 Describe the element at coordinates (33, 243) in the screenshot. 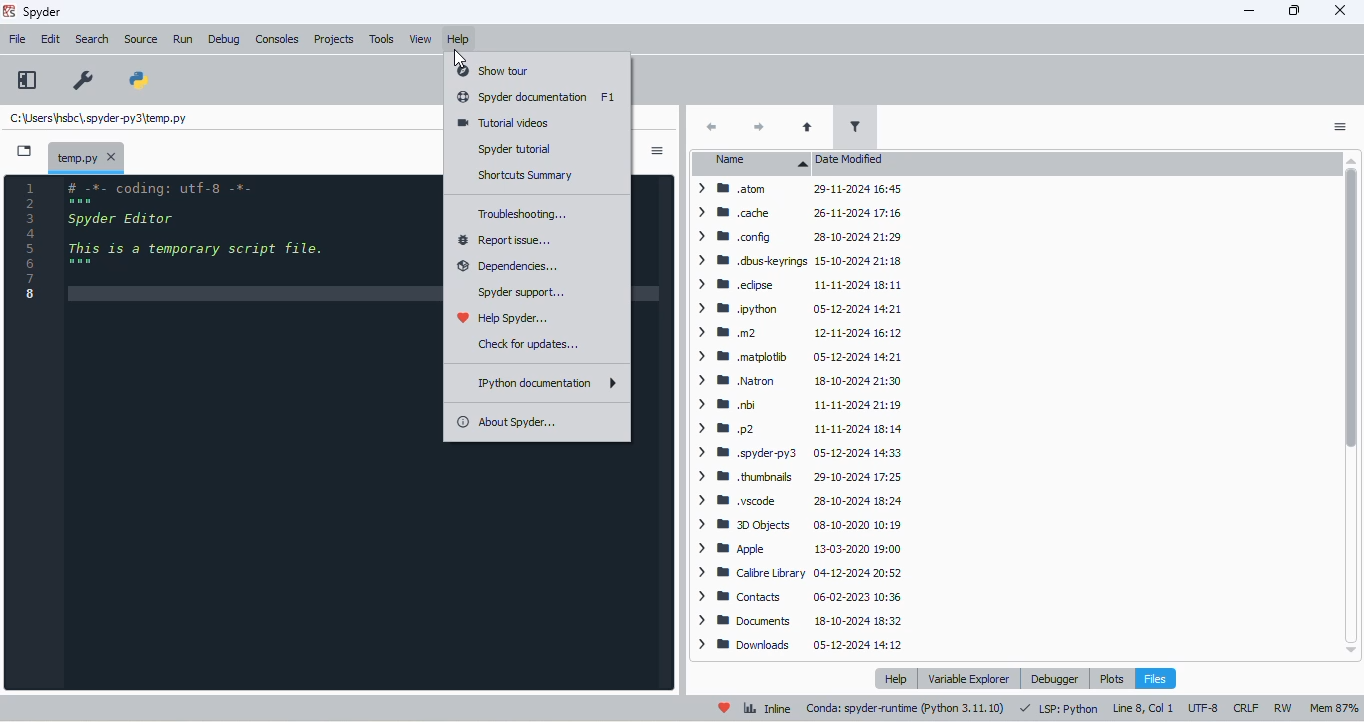

I see `line numbers` at that location.